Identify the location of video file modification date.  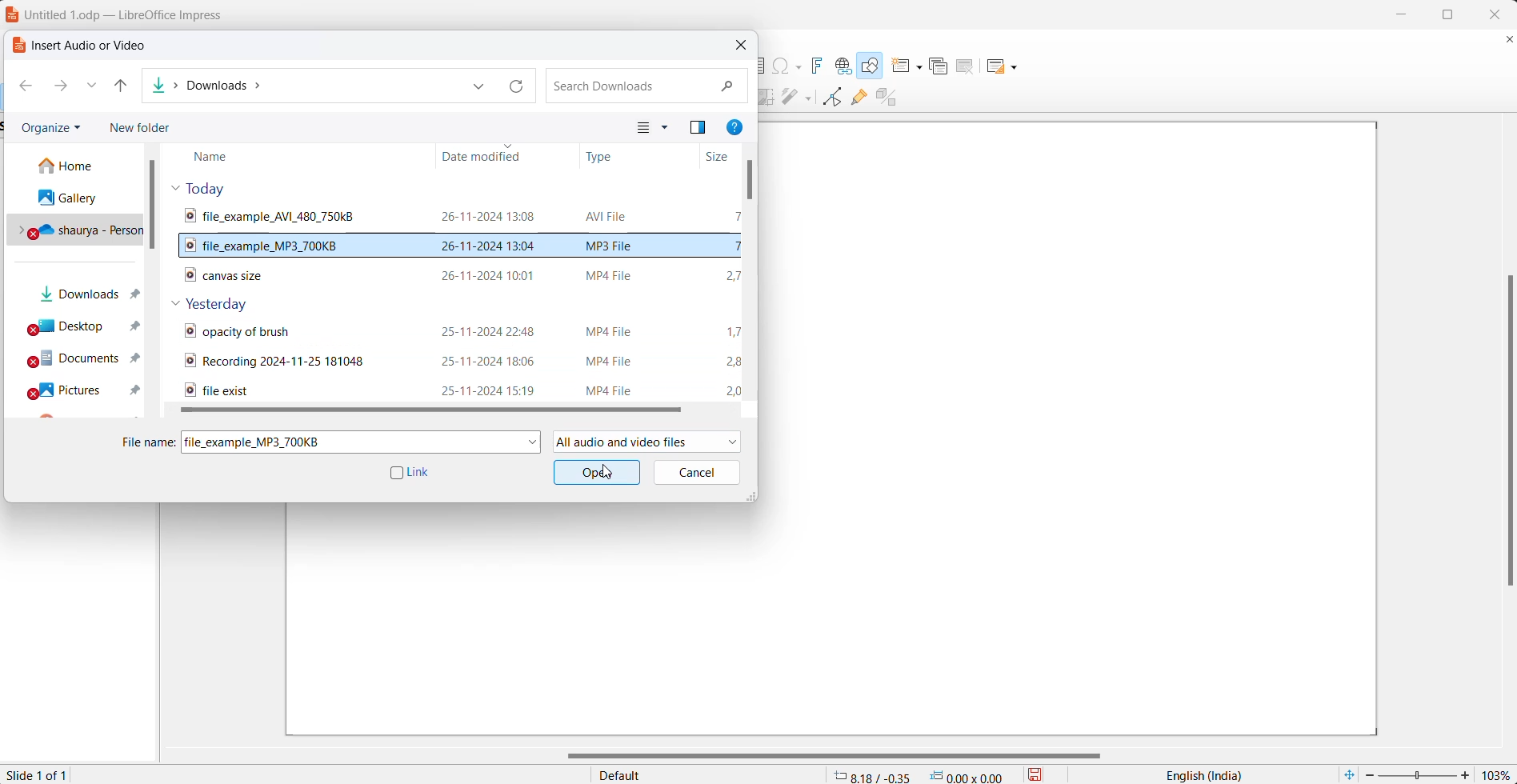
(487, 216).